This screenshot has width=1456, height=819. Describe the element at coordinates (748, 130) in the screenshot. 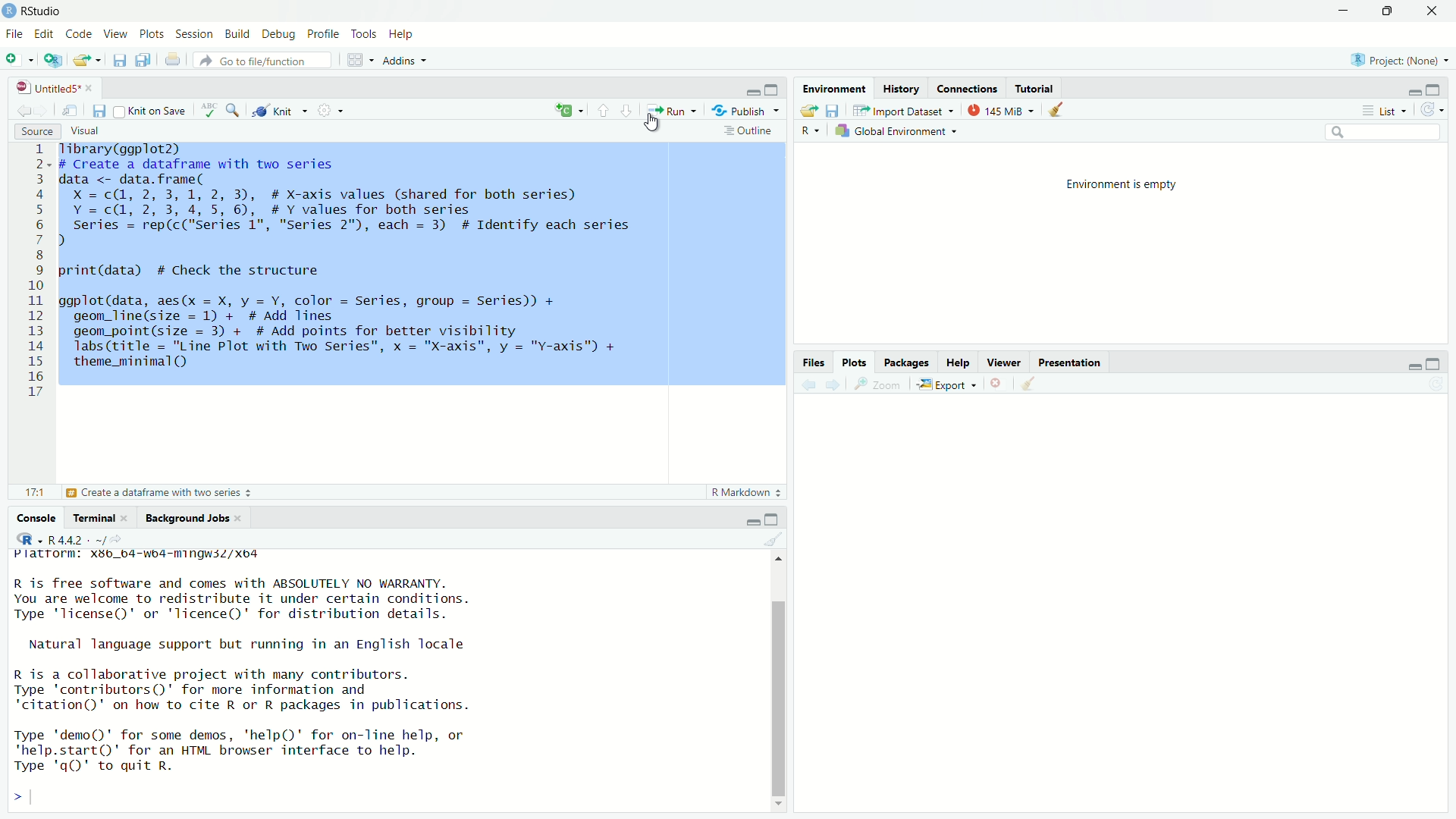

I see `Outline` at that location.